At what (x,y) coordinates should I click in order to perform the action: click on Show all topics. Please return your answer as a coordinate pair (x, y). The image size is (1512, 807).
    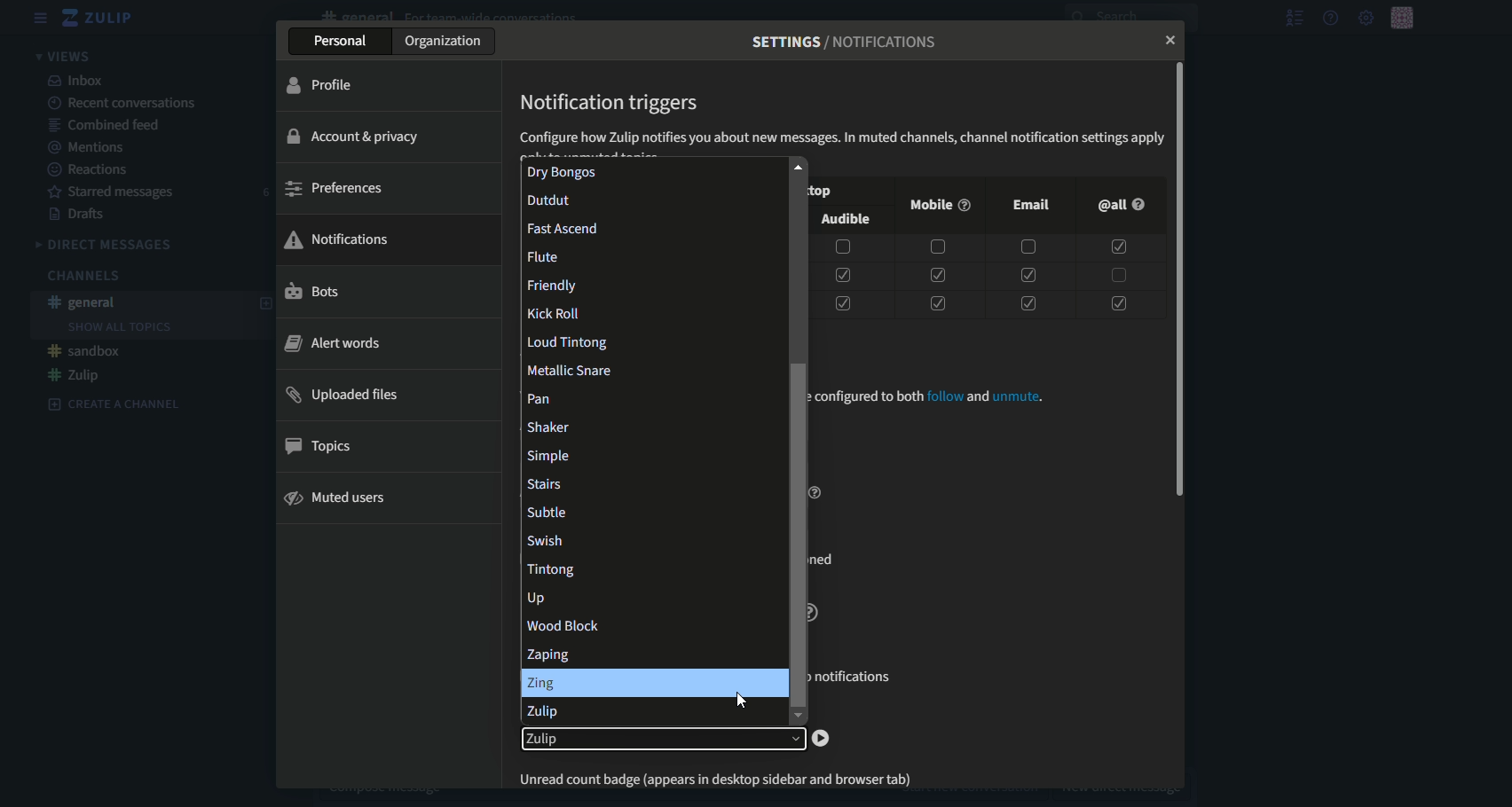
    Looking at the image, I should click on (119, 327).